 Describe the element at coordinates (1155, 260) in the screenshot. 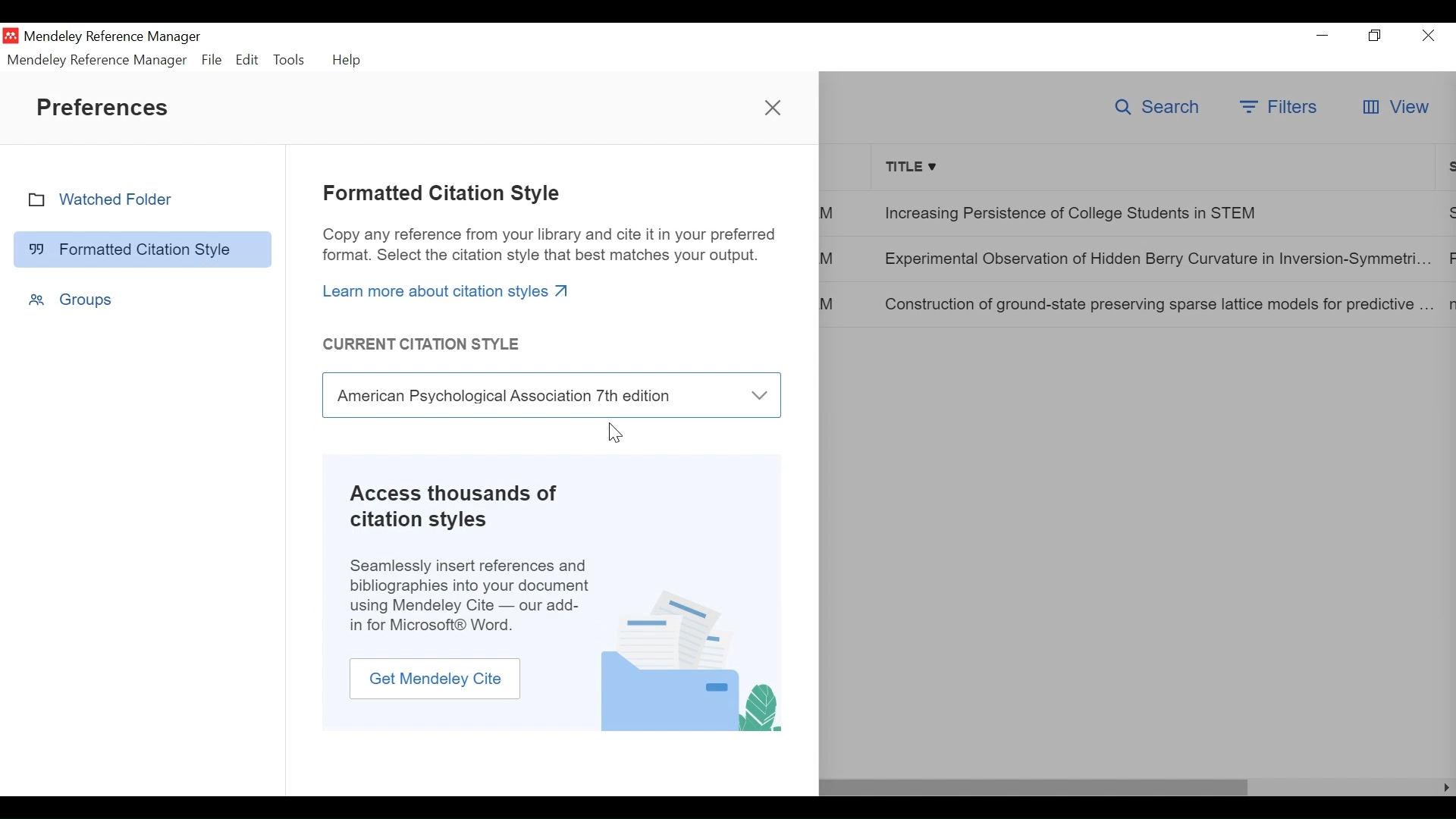

I see `Experimental Observation of Hidden Berry Curvature in Inversion-Symmetri` at that location.